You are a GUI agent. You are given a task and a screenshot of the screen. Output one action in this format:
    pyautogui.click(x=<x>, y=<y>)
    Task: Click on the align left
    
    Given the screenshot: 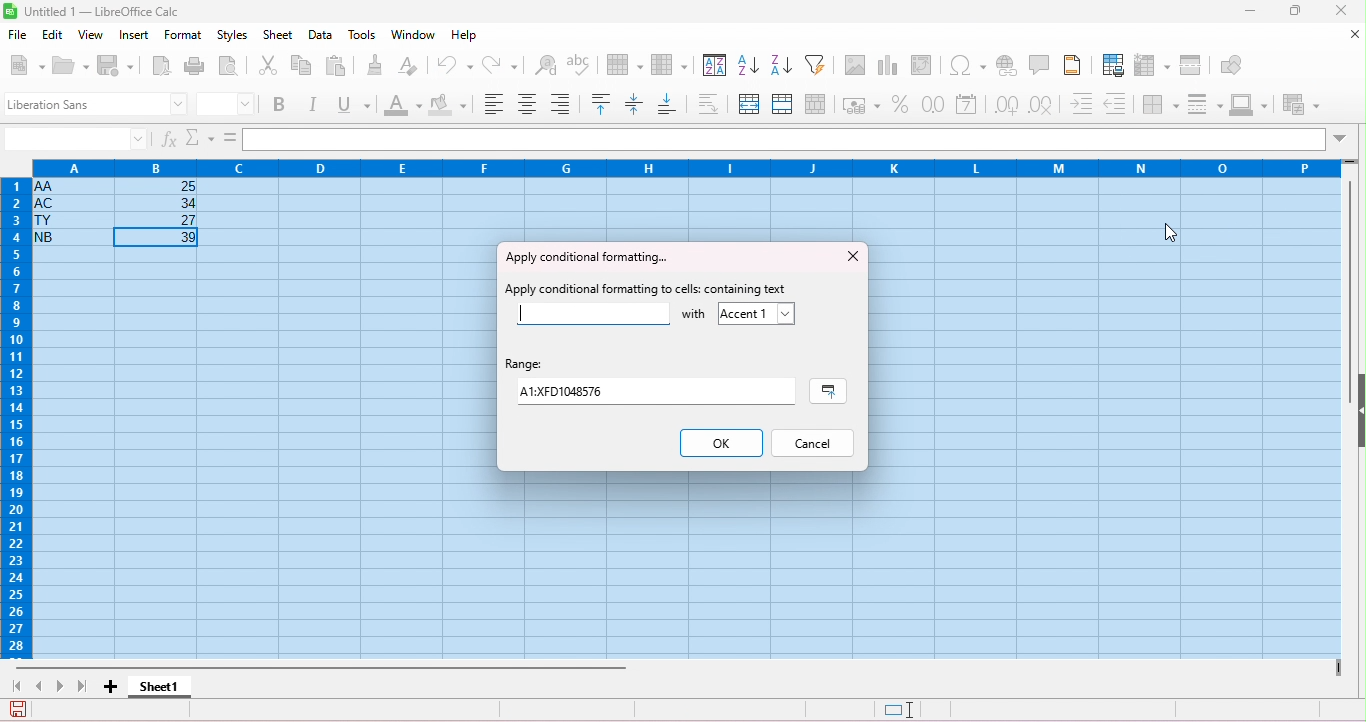 What is the action you would take?
    pyautogui.click(x=494, y=106)
    